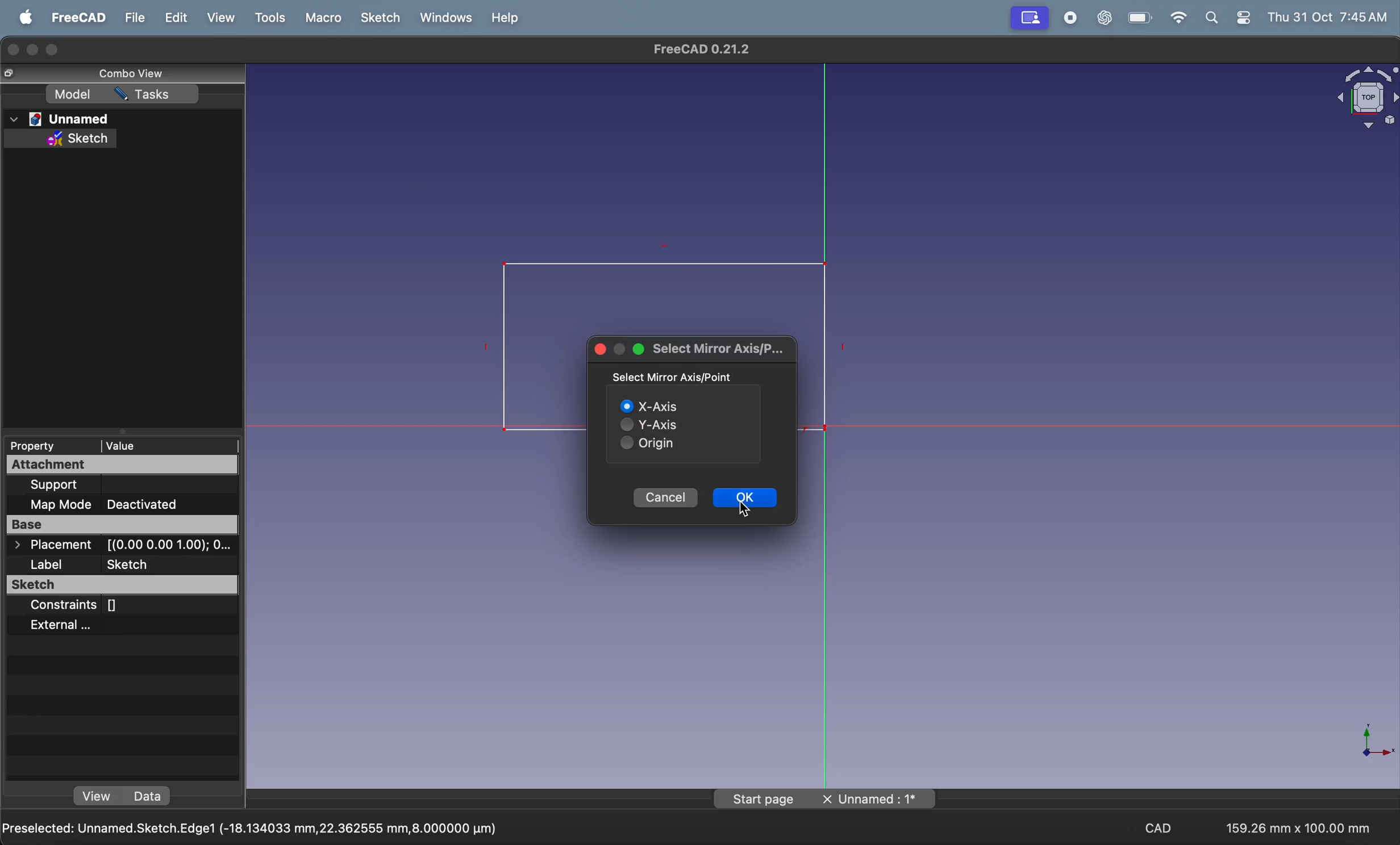 This screenshot has height=845, width=1400. I want to click on axis, so click(1370, 746).